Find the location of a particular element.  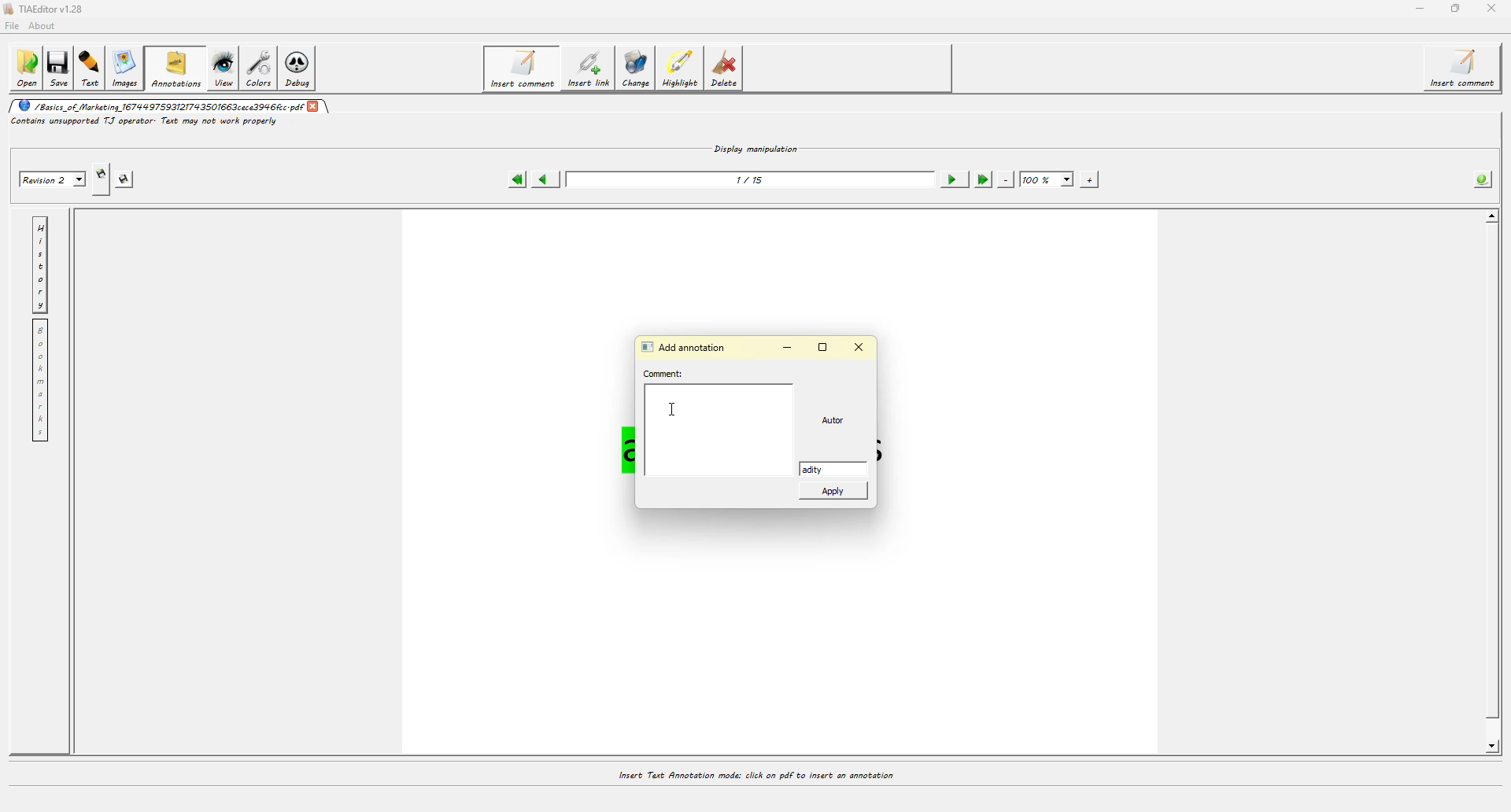

/Basics of Marketing 167999759312T793501663cece3996c.pdf is located at coordinates (158, 105).